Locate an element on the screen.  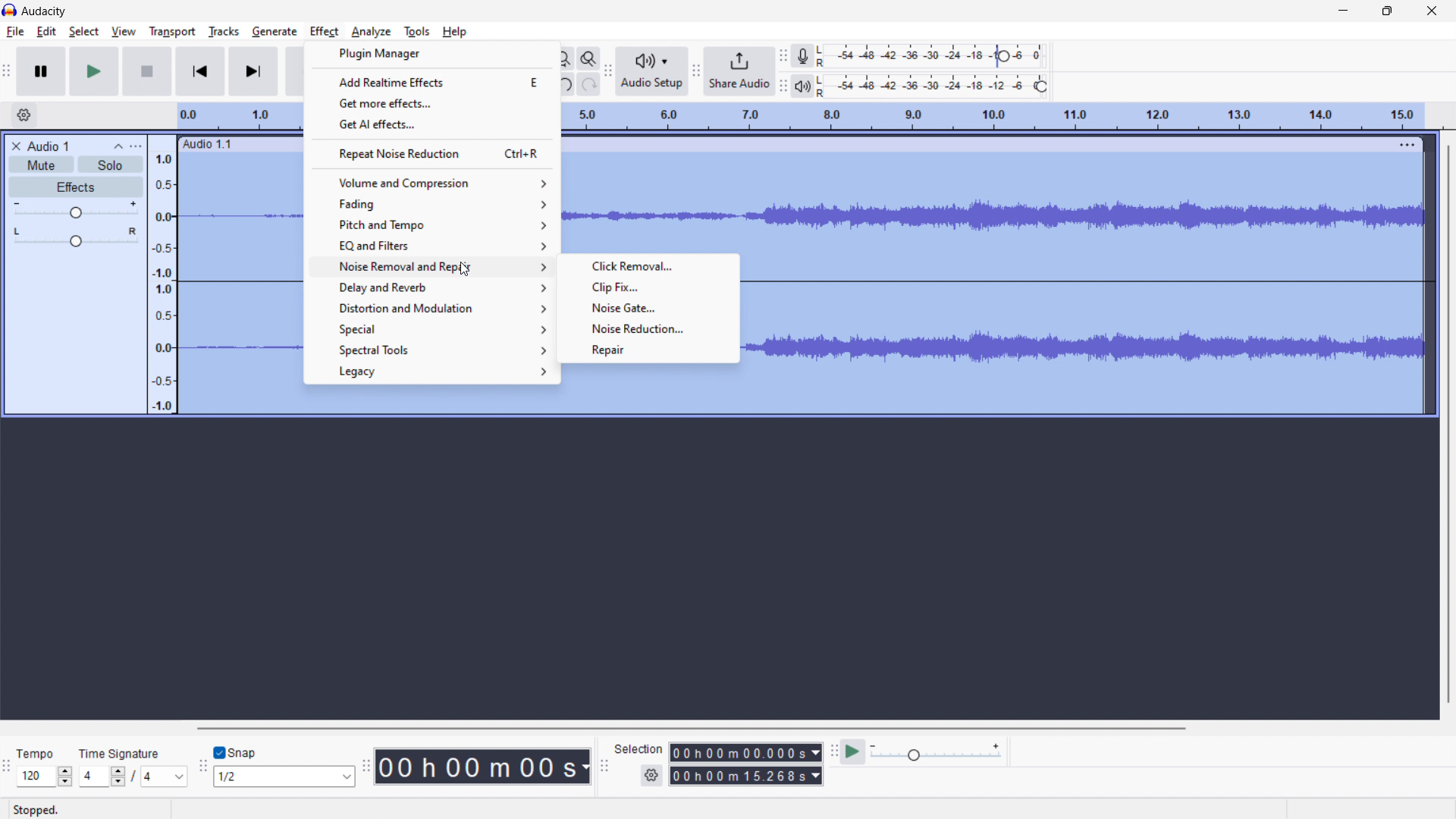
pause is located at coordinates (41, 72).